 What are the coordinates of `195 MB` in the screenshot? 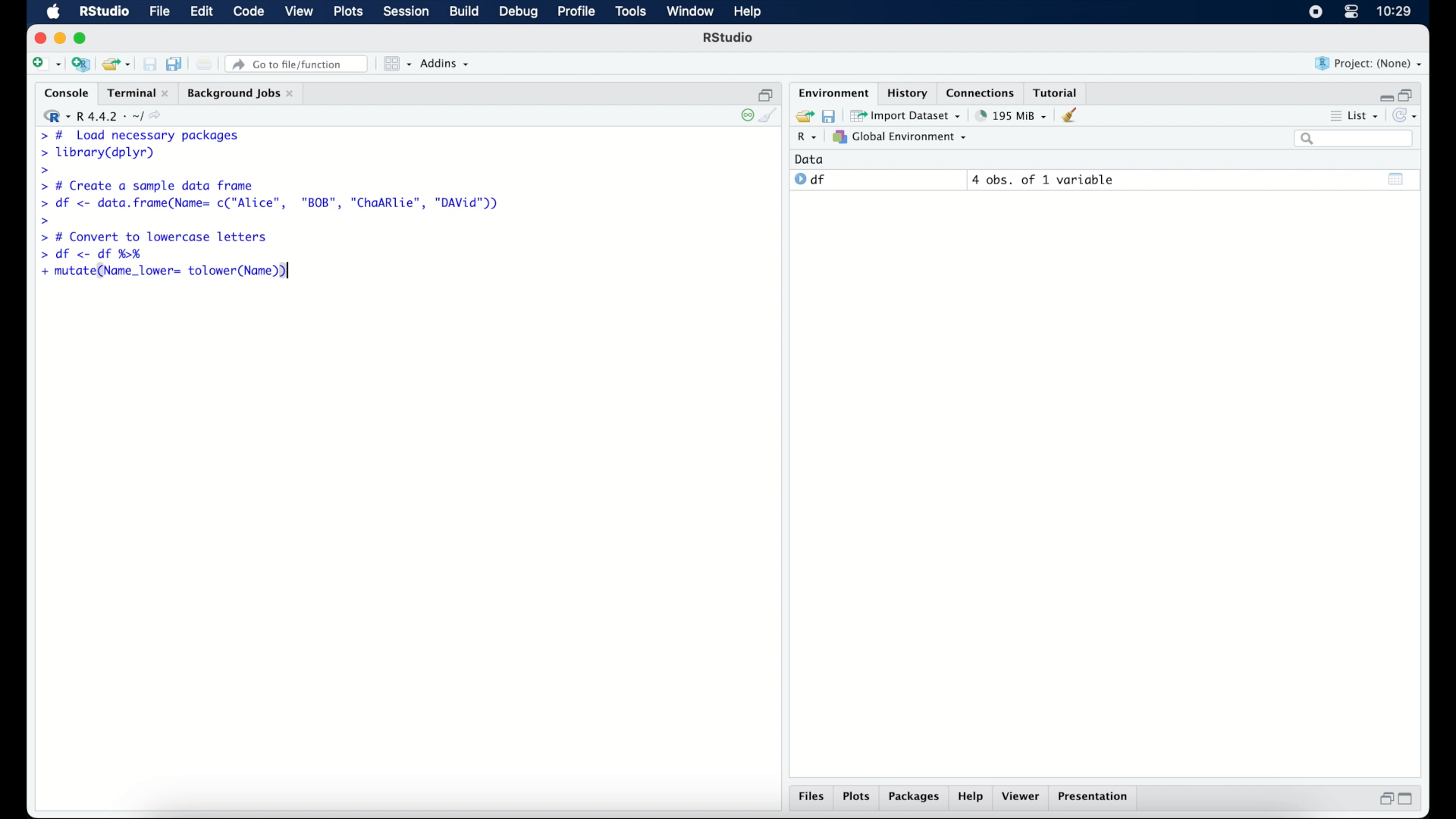 It's located at (1010, 115).